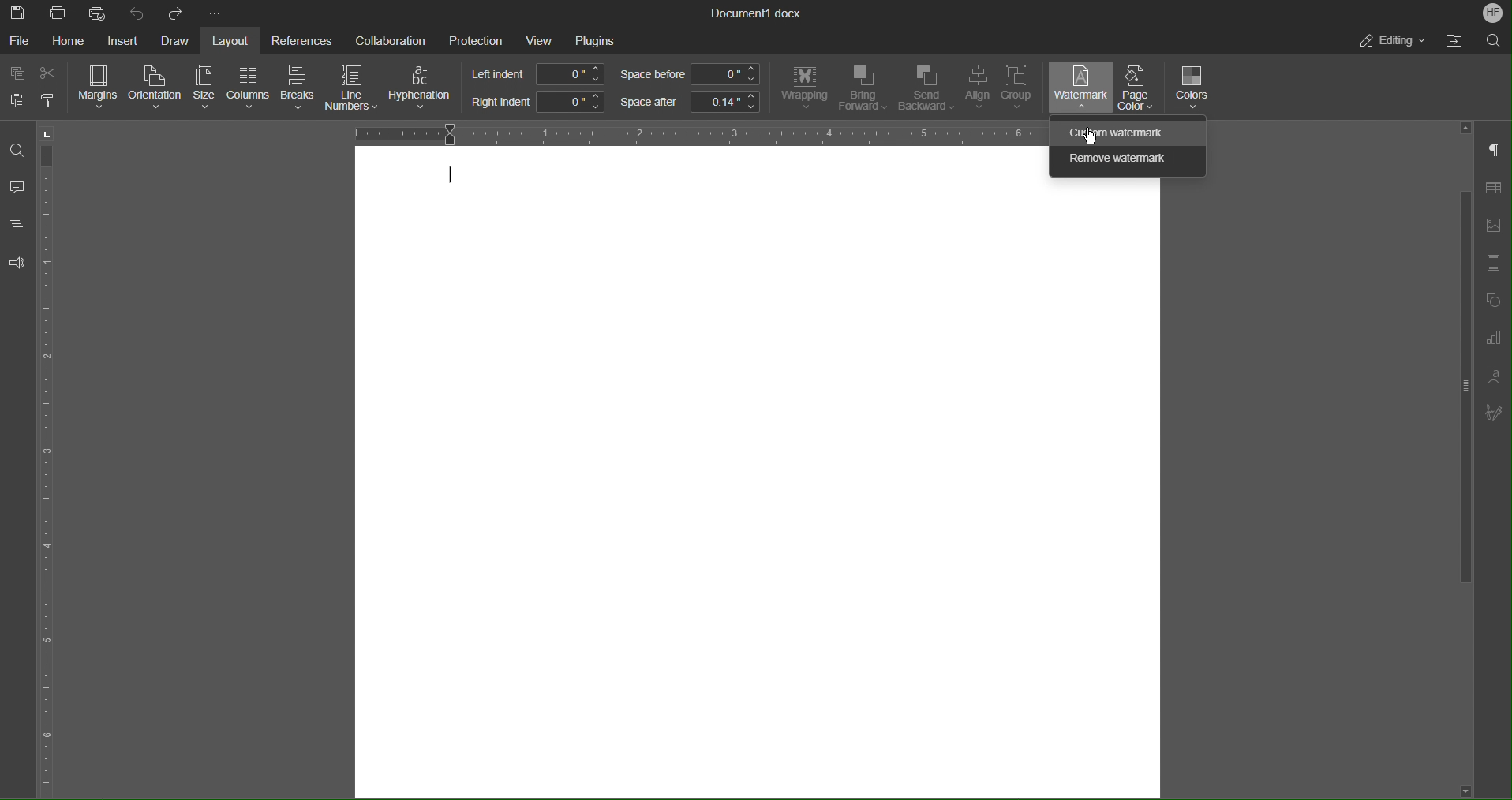 Image resolution: width=1512 pixels, height=800 pixels. What do you see at coordinates (1450, 41) in the screenshot?
I see `Open File Location` at bounding box center [1450, 41].